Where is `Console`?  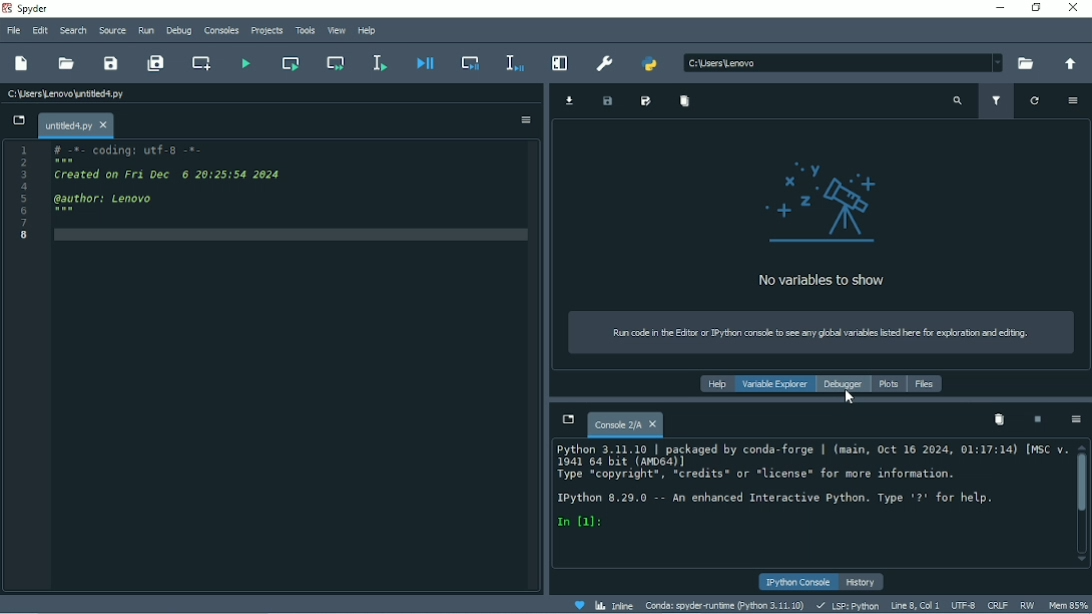
Console is located at coordinates (622, 426).